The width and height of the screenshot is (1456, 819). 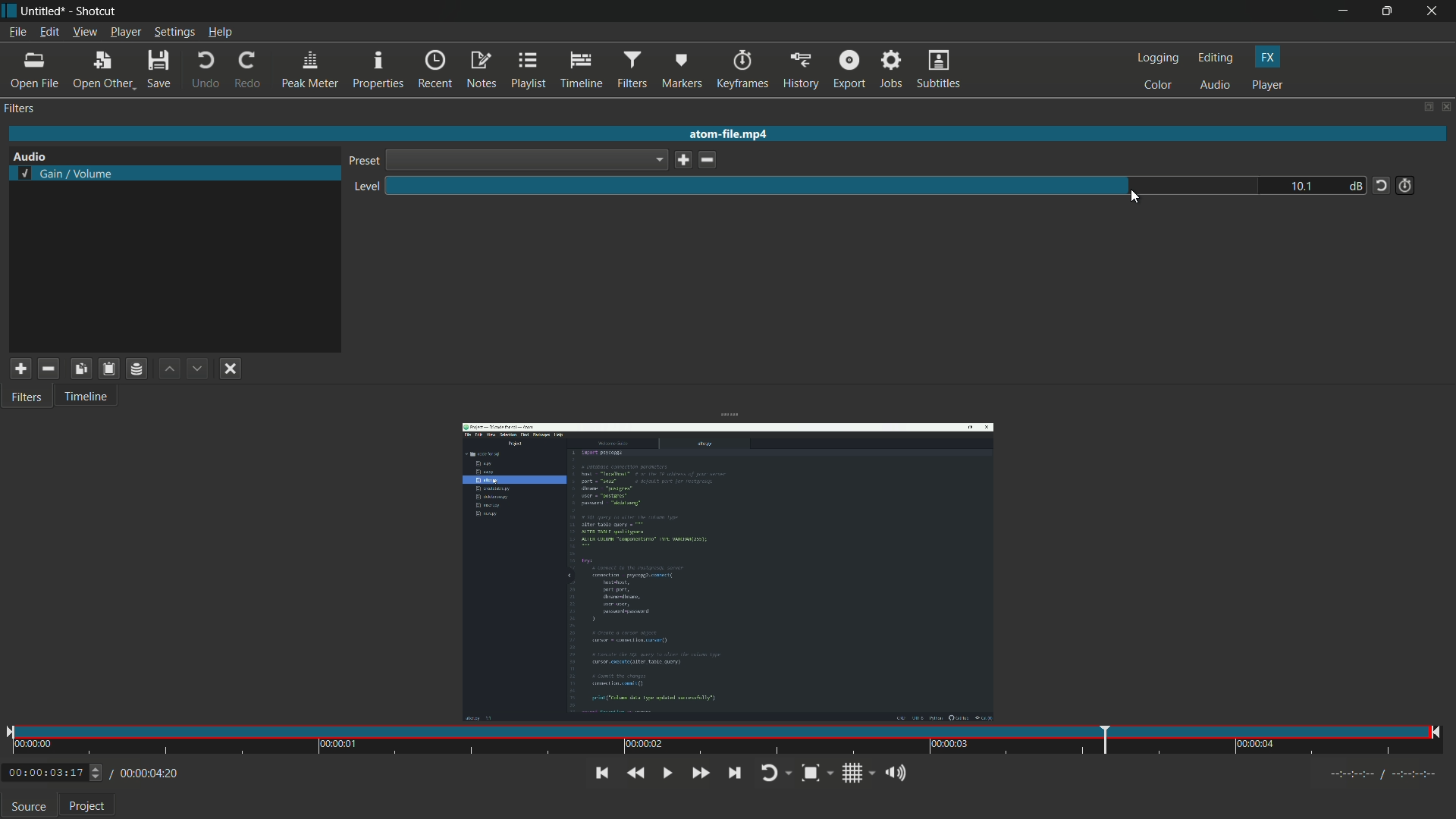 What do you see at coordinates (55, 773) in the screenshot?
I see `00:00:03:17 (Current Time)` at bounding box center [55, 773].